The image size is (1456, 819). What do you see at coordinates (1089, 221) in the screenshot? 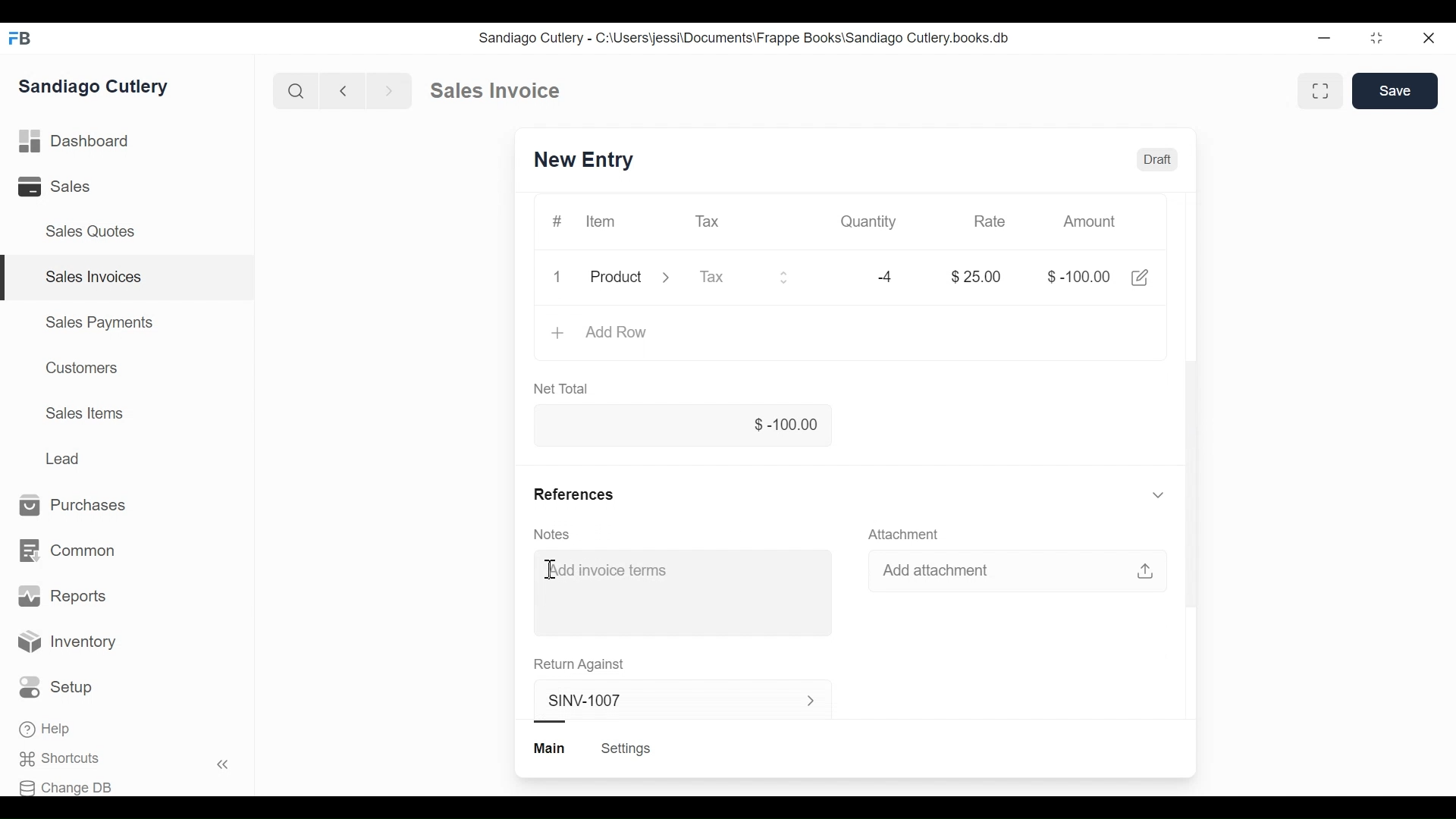
I see `Amount` at bounding box center [1089, 221].